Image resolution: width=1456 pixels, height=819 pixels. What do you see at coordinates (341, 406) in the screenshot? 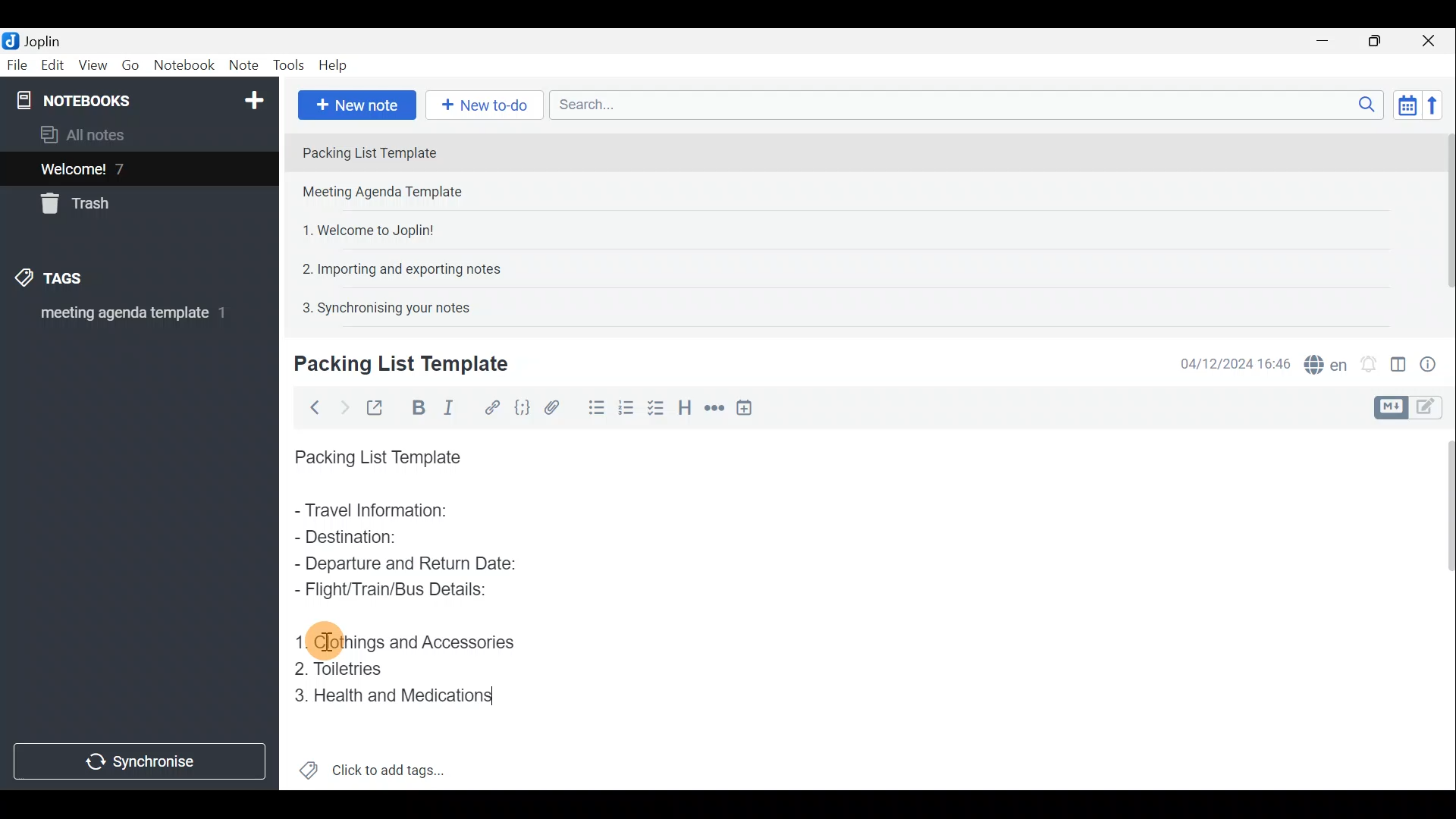
I see `Forward` at bounding box center [341, 406].